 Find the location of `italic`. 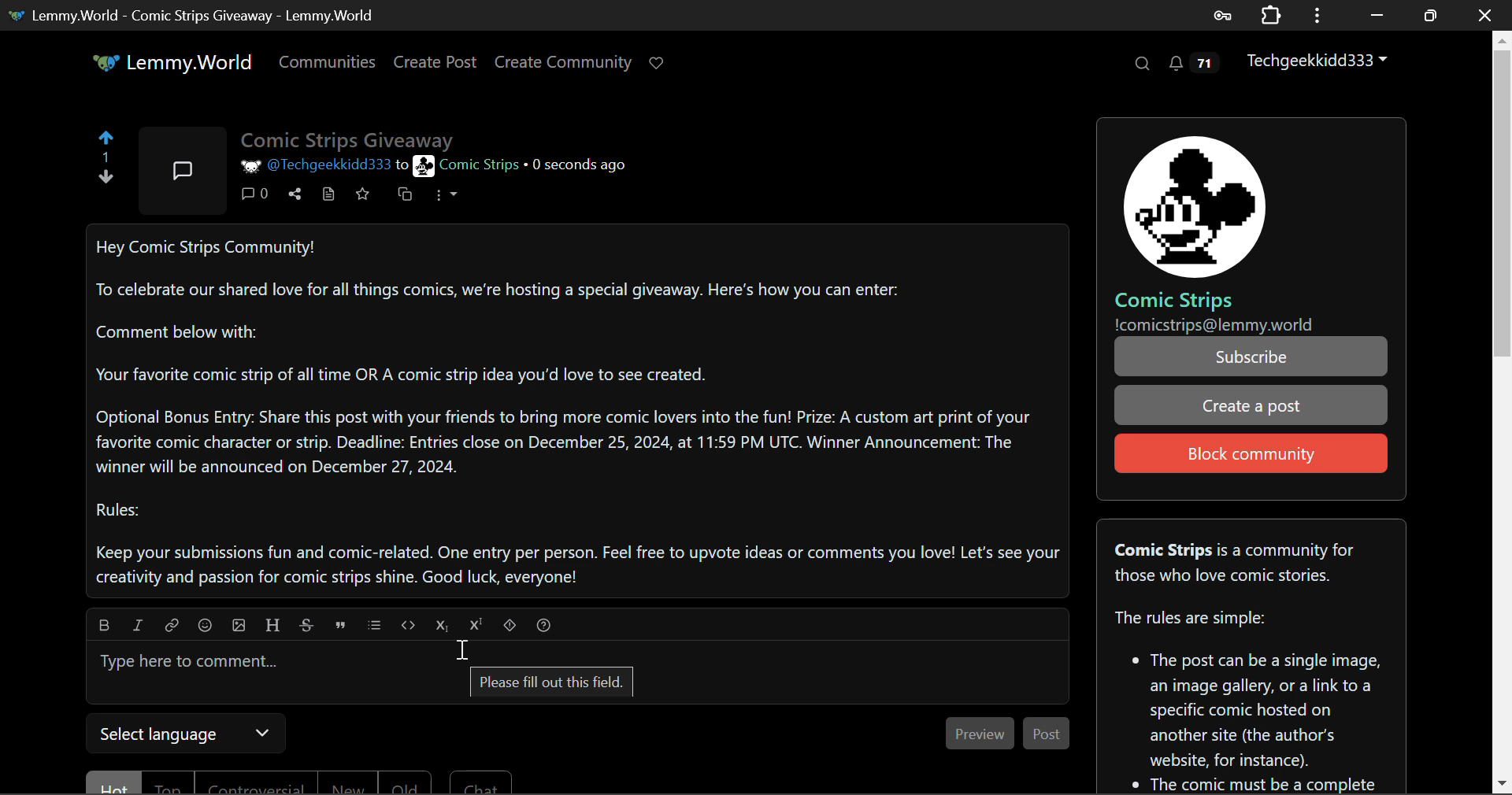

italic is located at coordinates (171, 623).